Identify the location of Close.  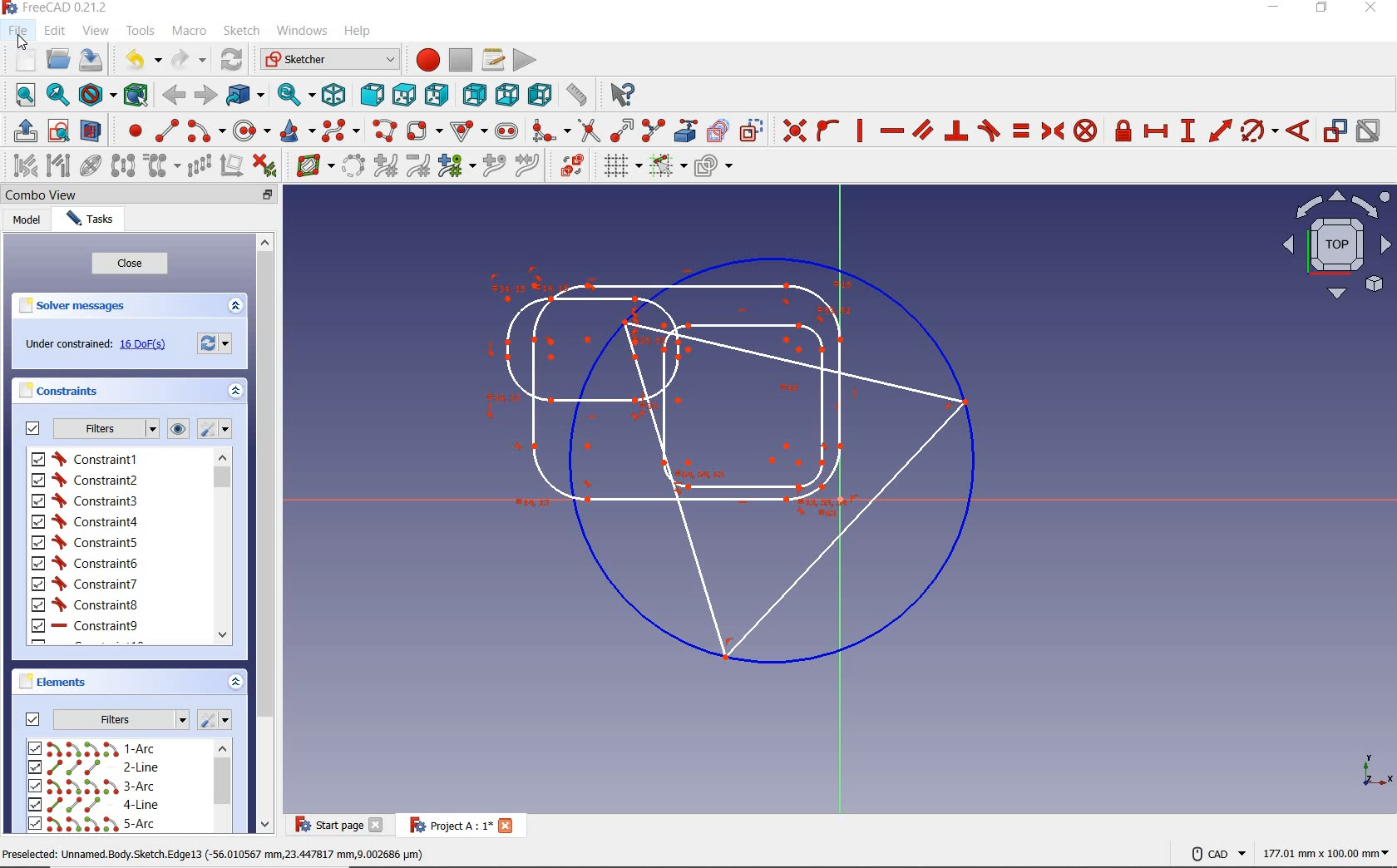
(506, 825).